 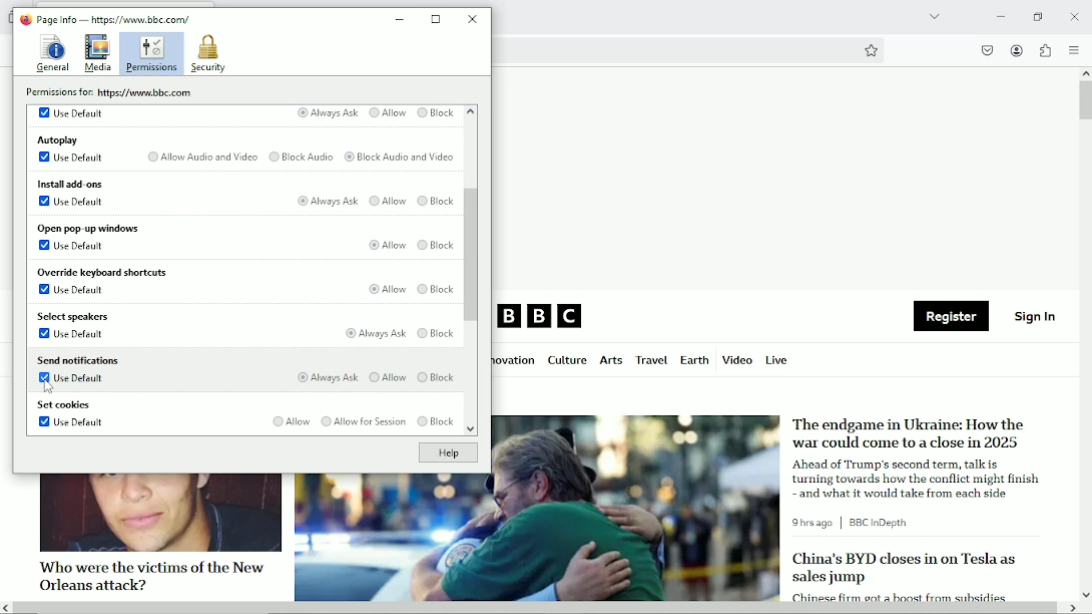 What do you see at coordinates (737, 359) in the screenshot?
I see `Video` at bounding box center [737, 359].